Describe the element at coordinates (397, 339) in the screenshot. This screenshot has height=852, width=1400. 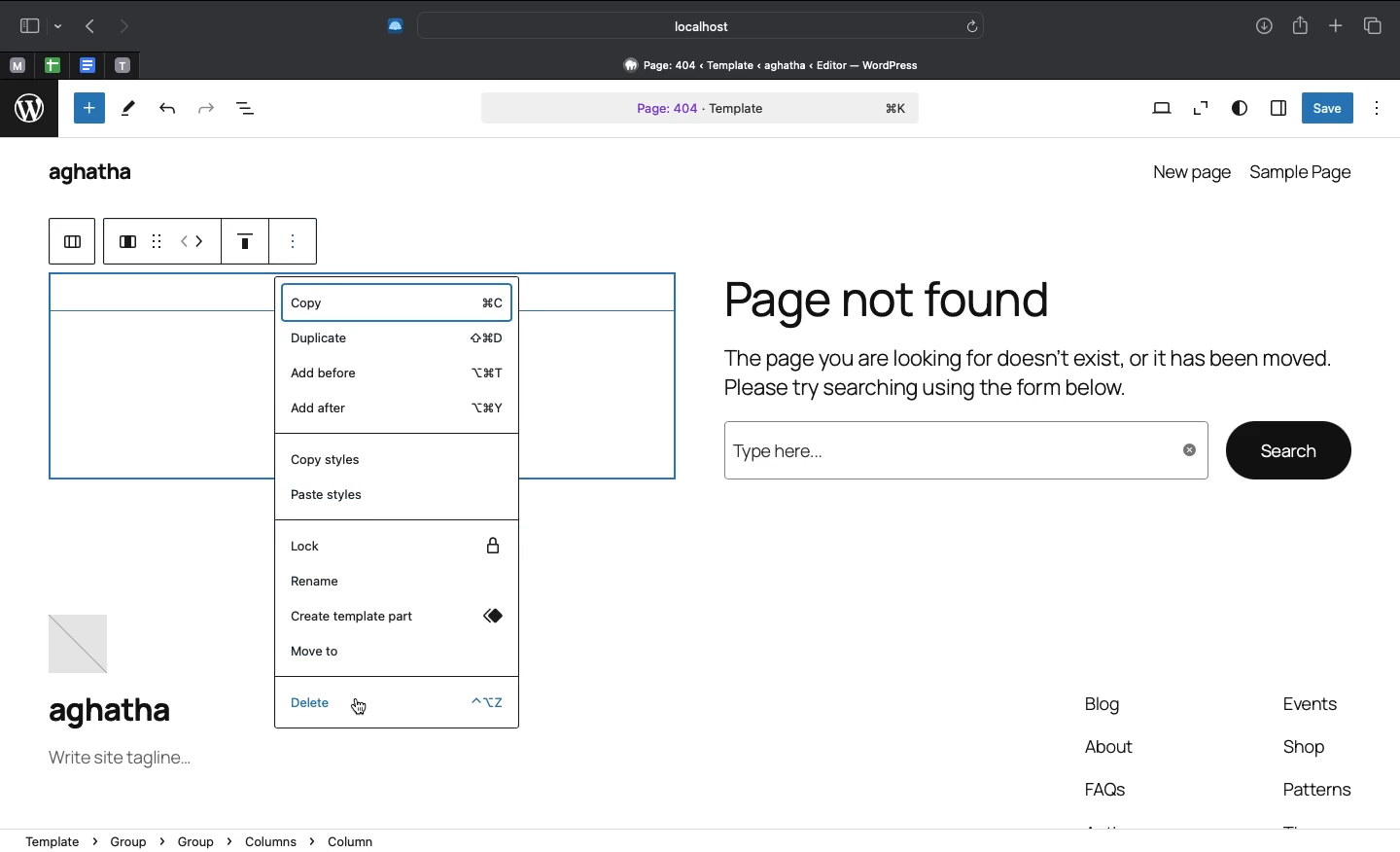
I see `duplicate` at that location.